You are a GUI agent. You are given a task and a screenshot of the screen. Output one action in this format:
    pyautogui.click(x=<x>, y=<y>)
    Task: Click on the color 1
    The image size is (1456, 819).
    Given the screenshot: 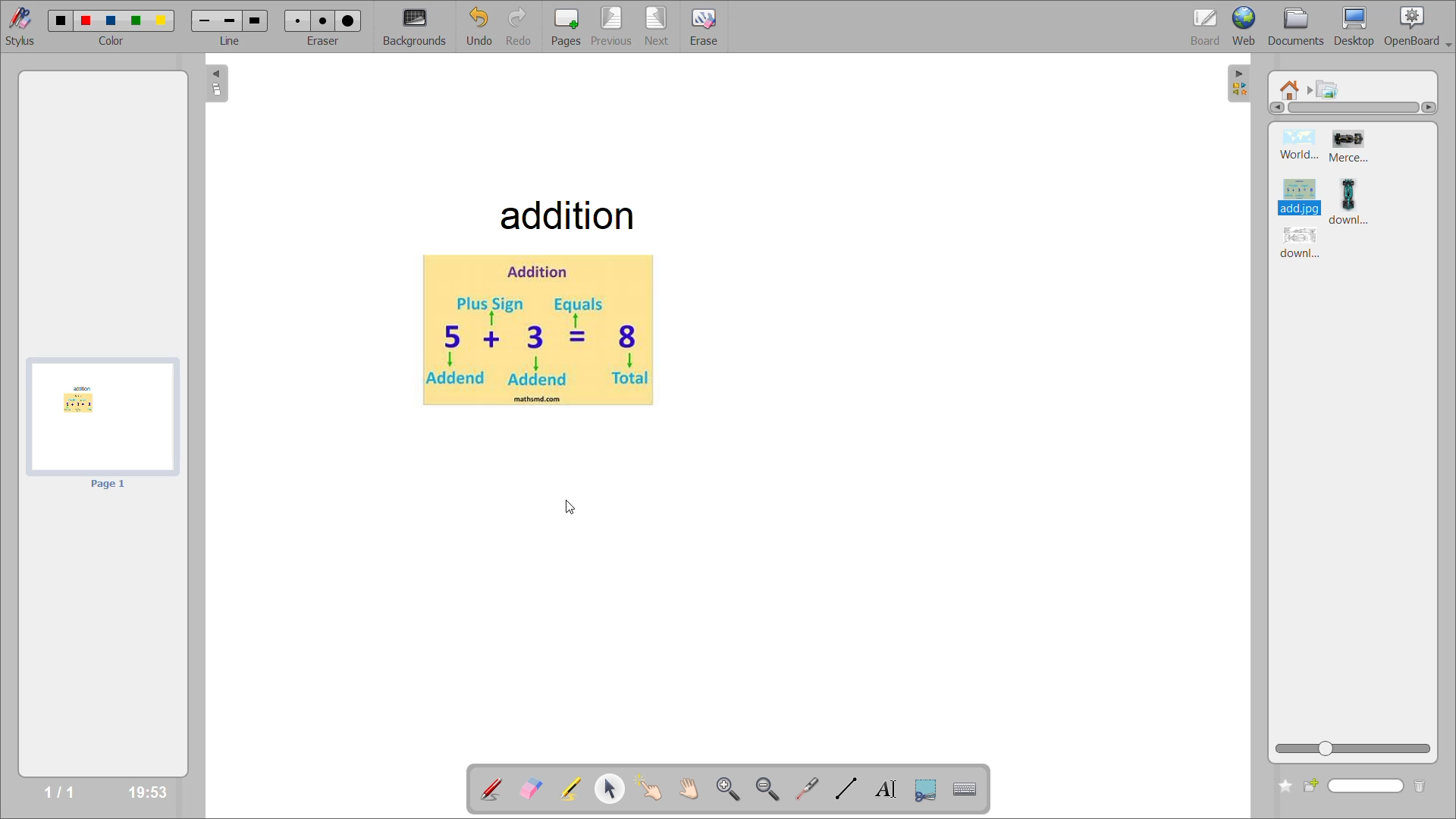 What is the action you would take?
    pyautogui.click(x=63, y=21)
    